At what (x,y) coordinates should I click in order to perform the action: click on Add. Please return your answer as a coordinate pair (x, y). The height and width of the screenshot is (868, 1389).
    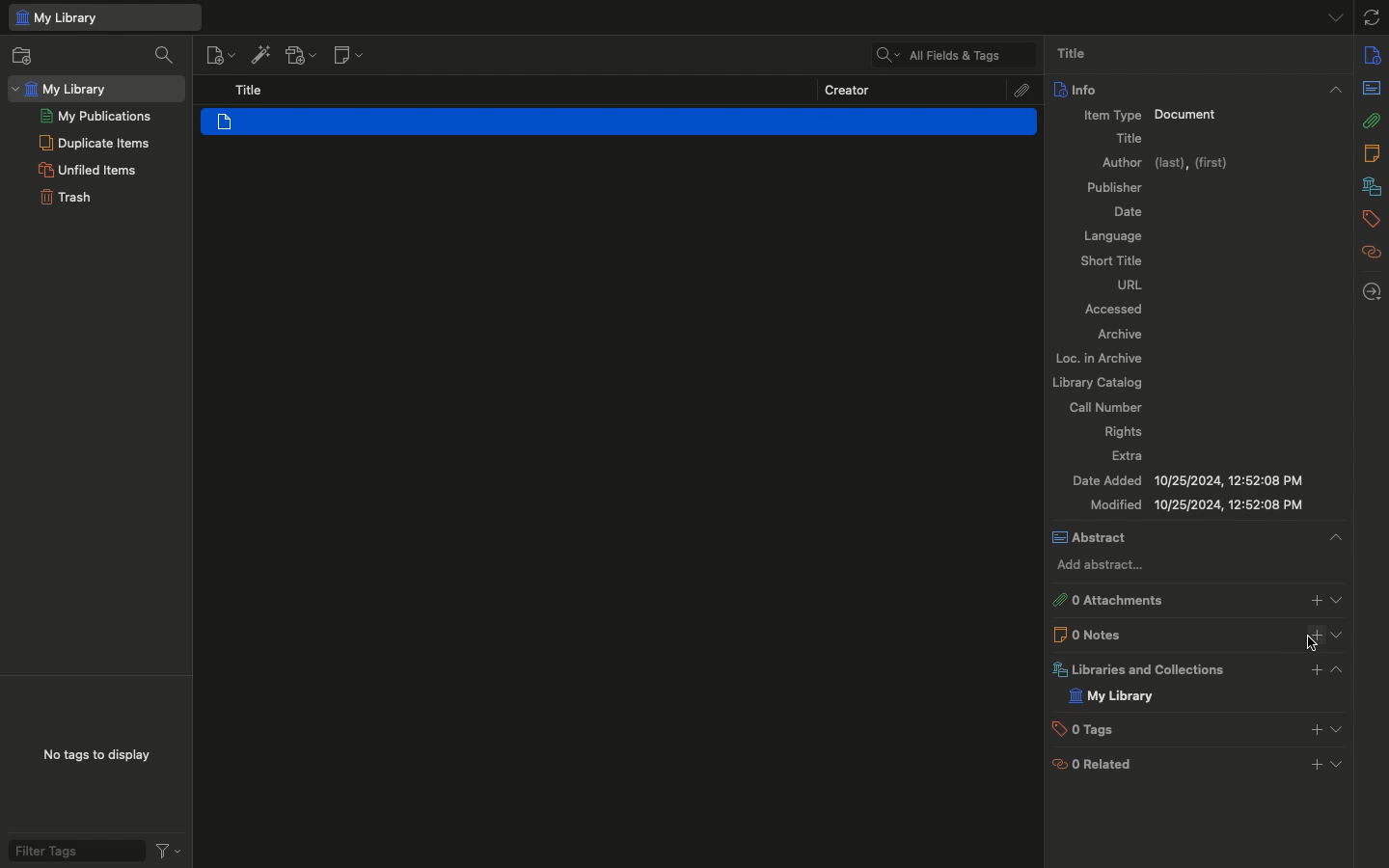
    Looking at the image, I should click on (1315, 728).